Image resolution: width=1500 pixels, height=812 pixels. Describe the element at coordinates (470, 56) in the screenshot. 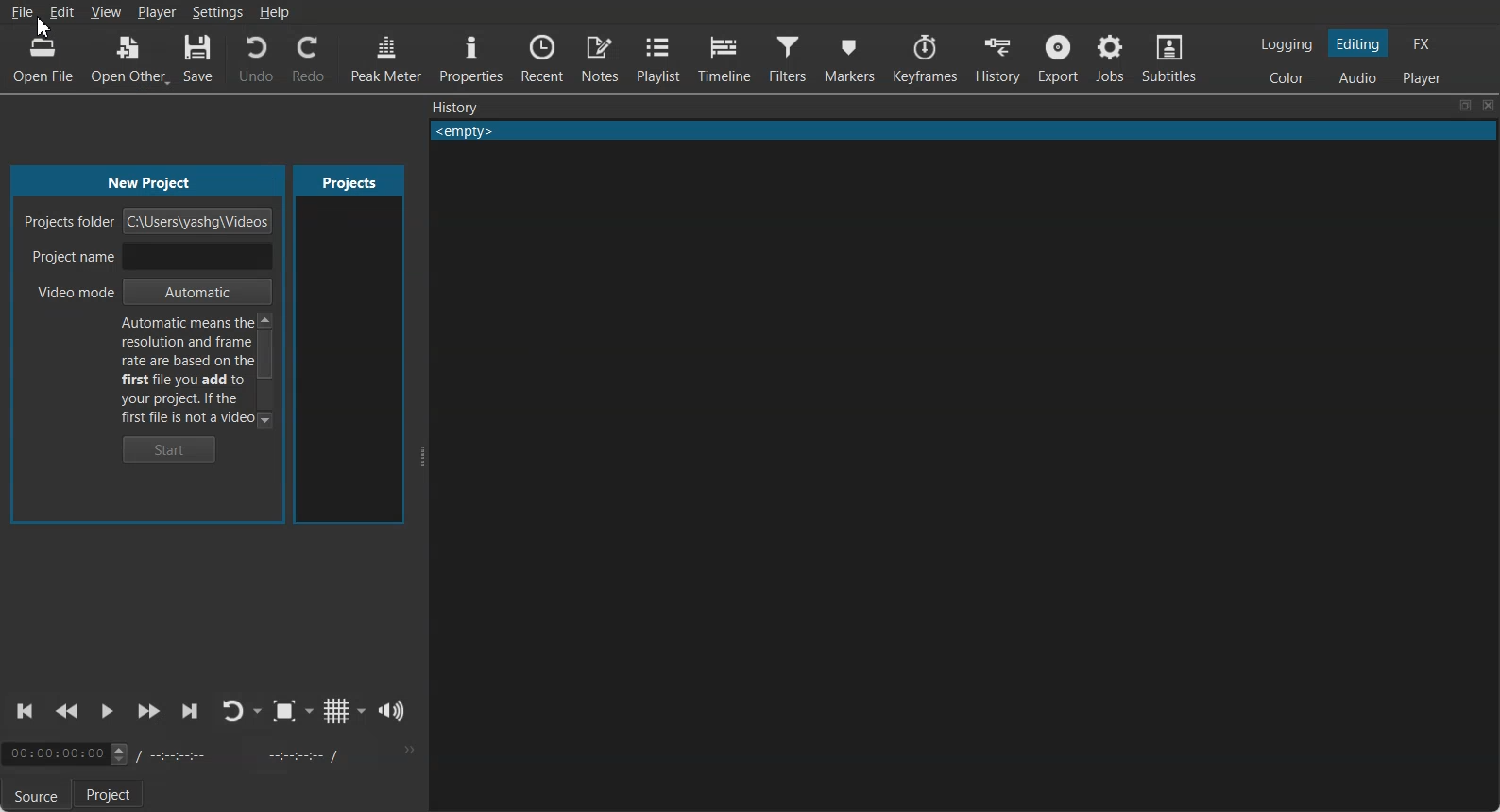

I see `Properties` at that location.